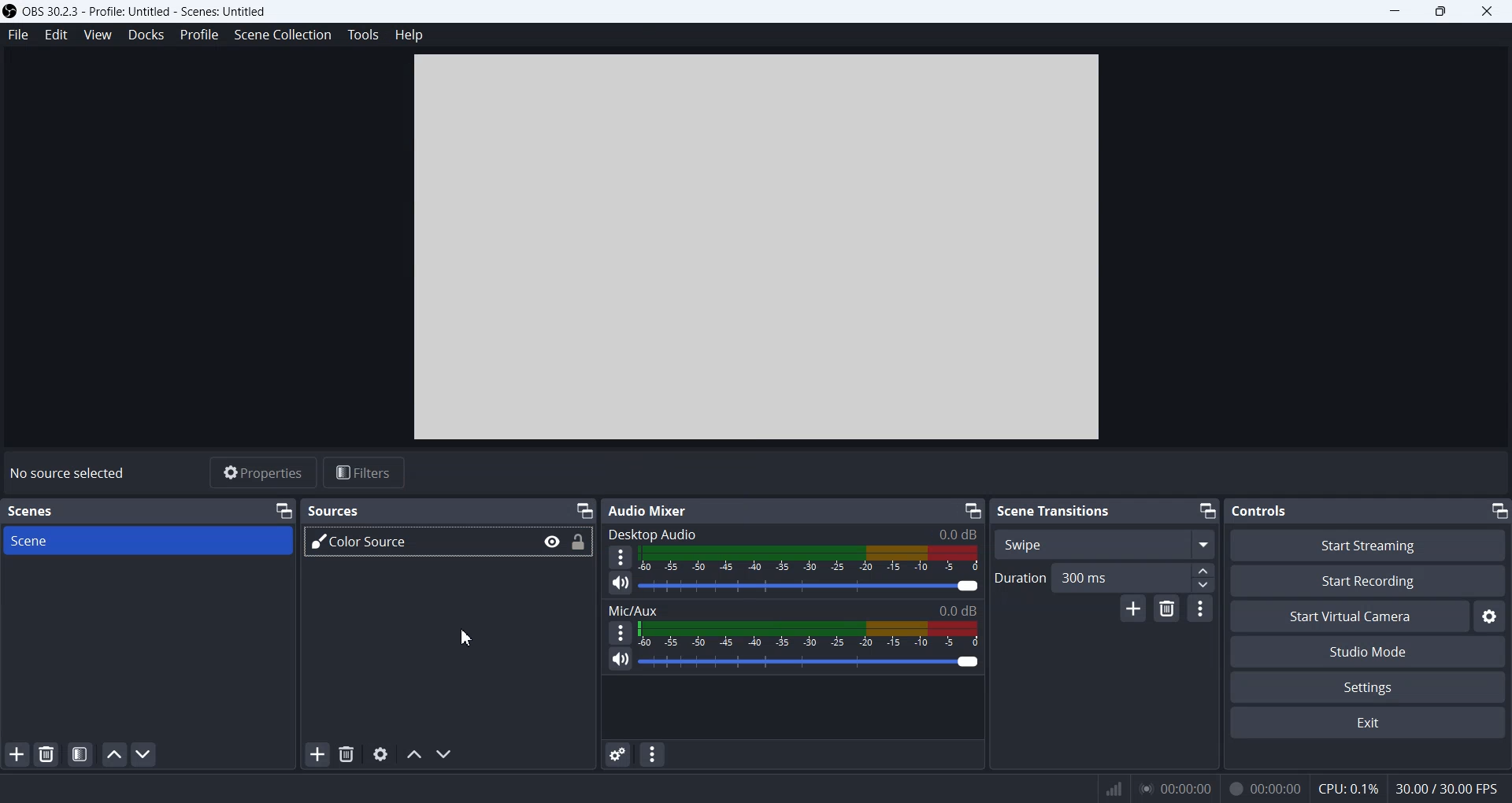  What do you see at coordinates (413, 754) in the screenshot?
I see `Move source Up` at bounding box center [413, 754].